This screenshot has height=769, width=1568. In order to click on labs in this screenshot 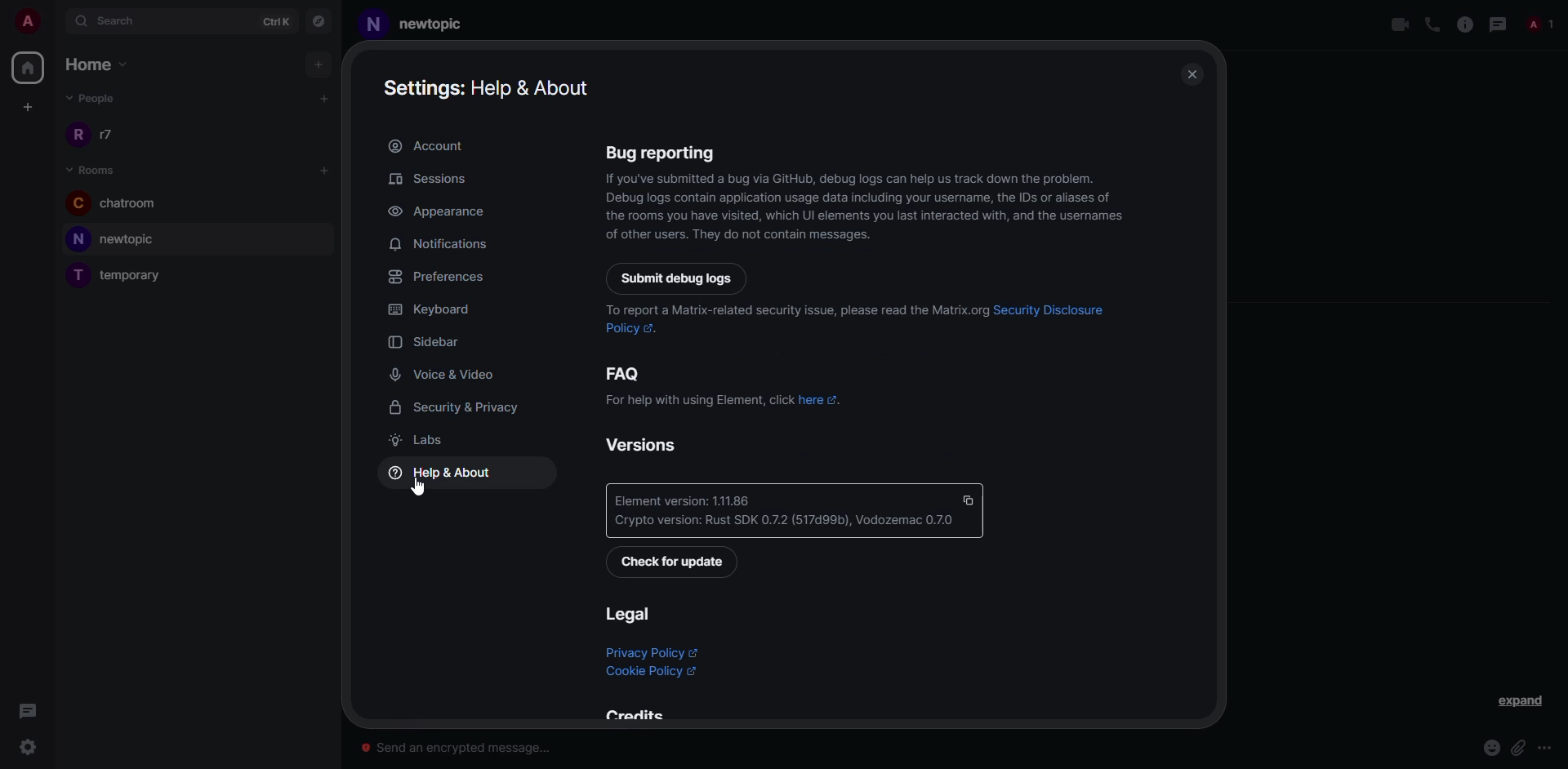, I will do `click(422, 442)`.